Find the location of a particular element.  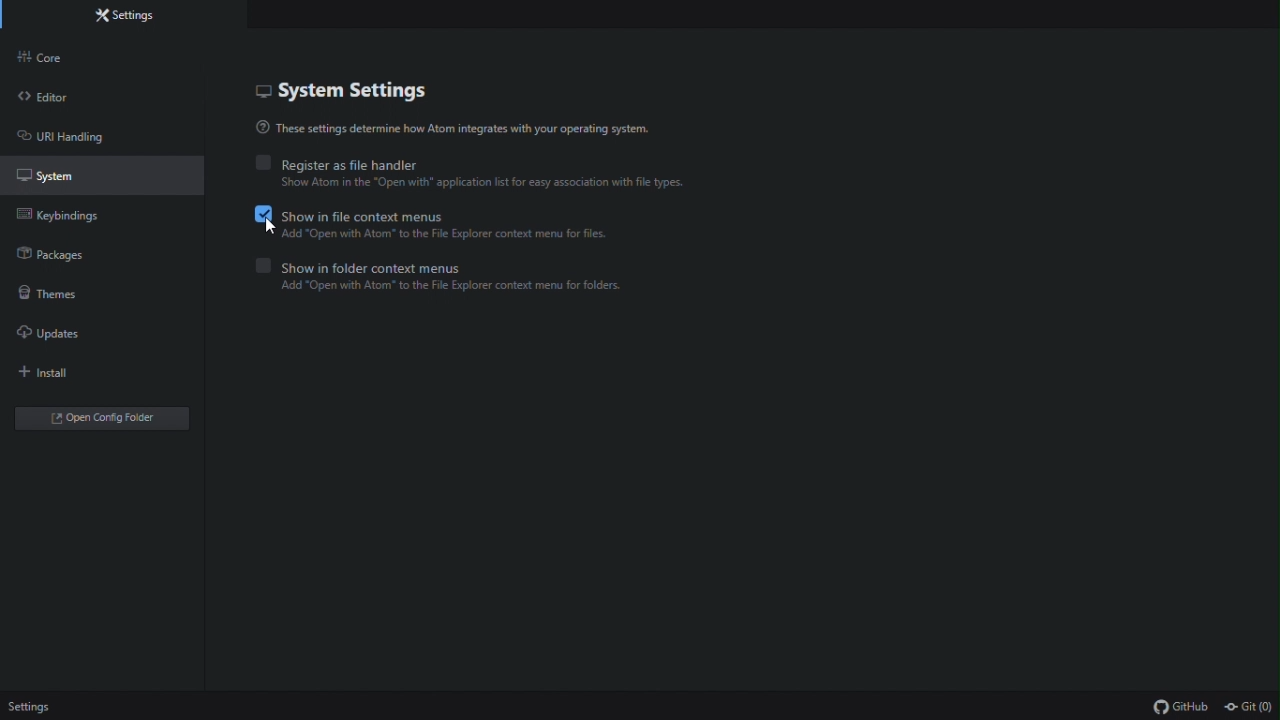

git is located at coordinates (1250, 707).